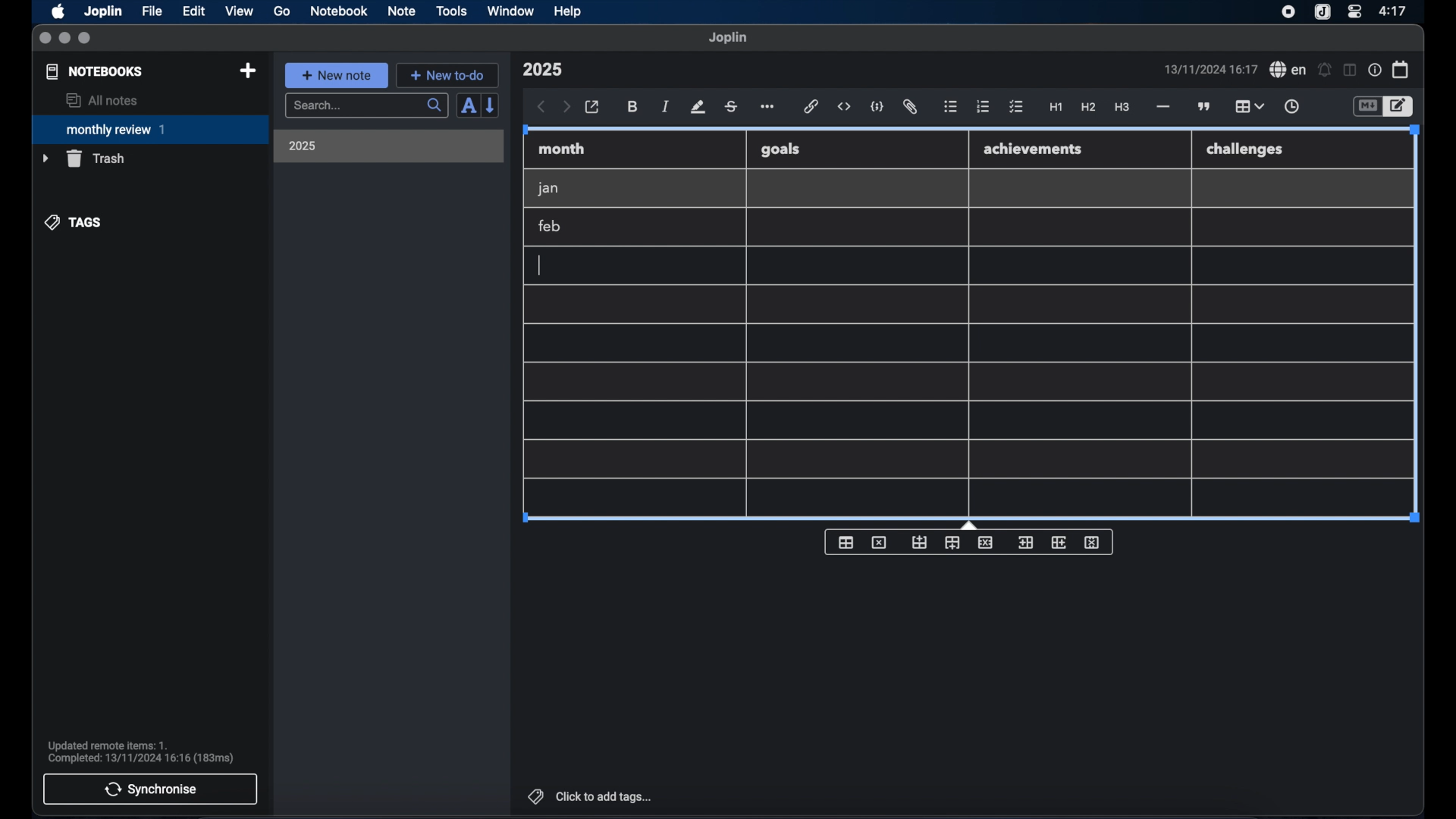 The image size is (1456, 819). I want to click on table highlighted, so click(1247, 106).